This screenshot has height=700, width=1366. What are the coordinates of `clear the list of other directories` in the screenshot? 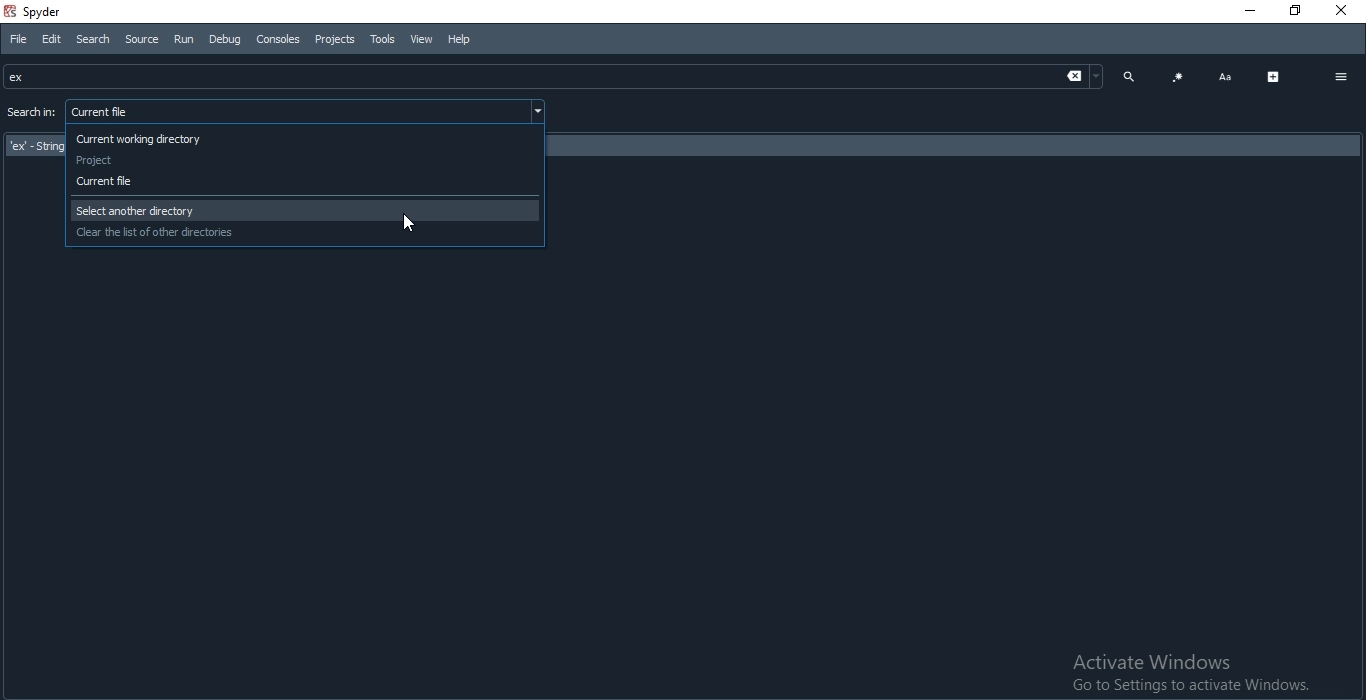 It's located at (304, 233).